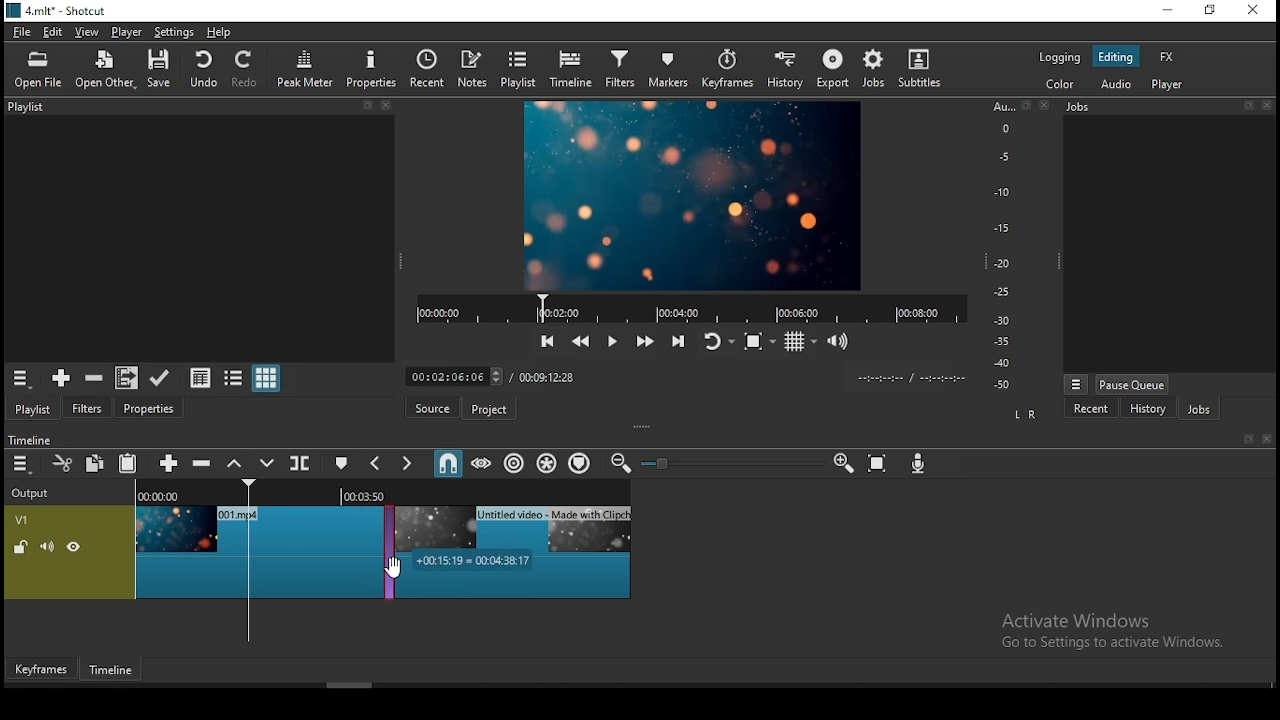  I want to click on close, so click(1267, 439).